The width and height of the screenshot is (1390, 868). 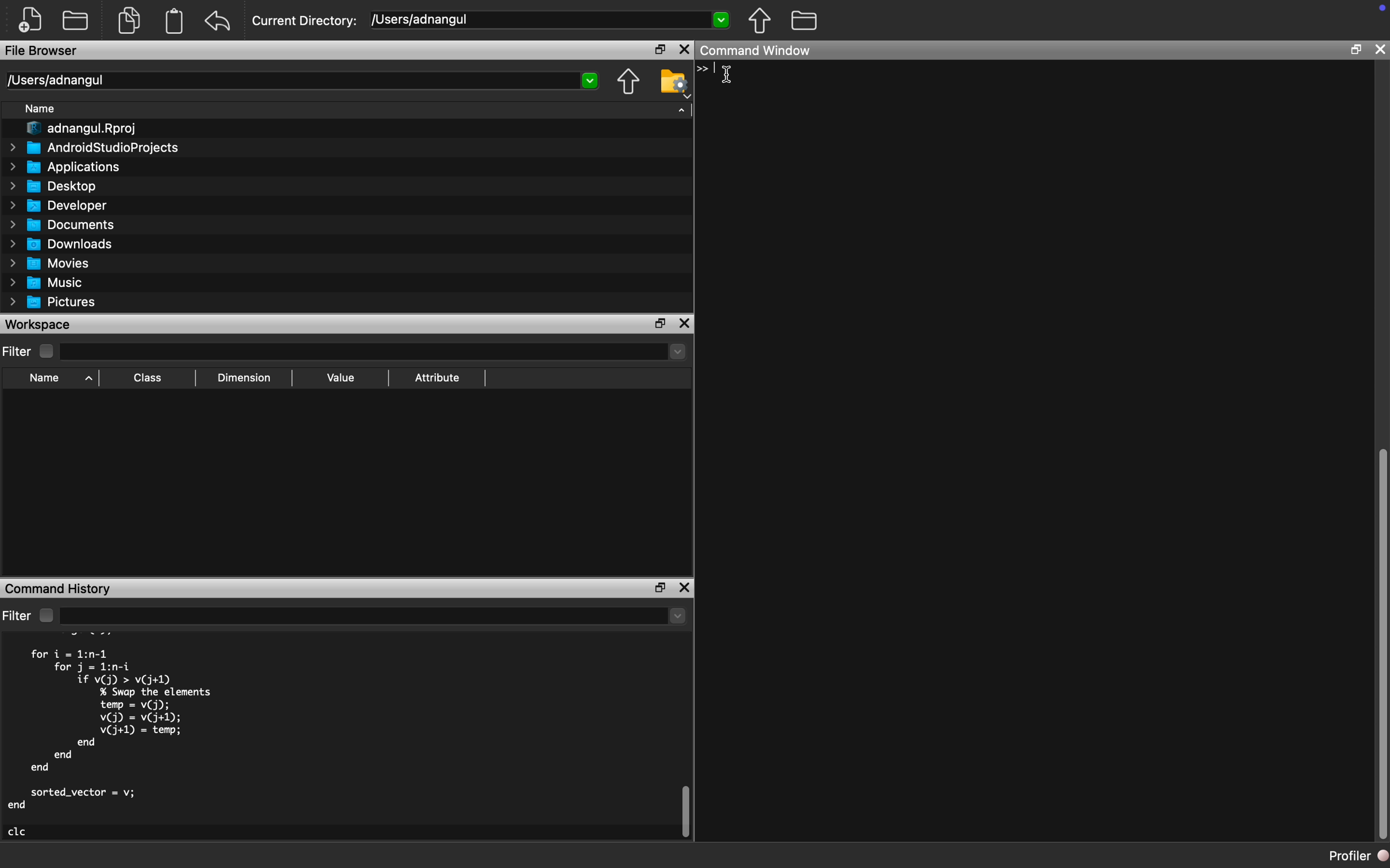 What do you see at coordinates (686, 744) in the screenshot?
I see `Scroll` at bounding box center [686, 744].